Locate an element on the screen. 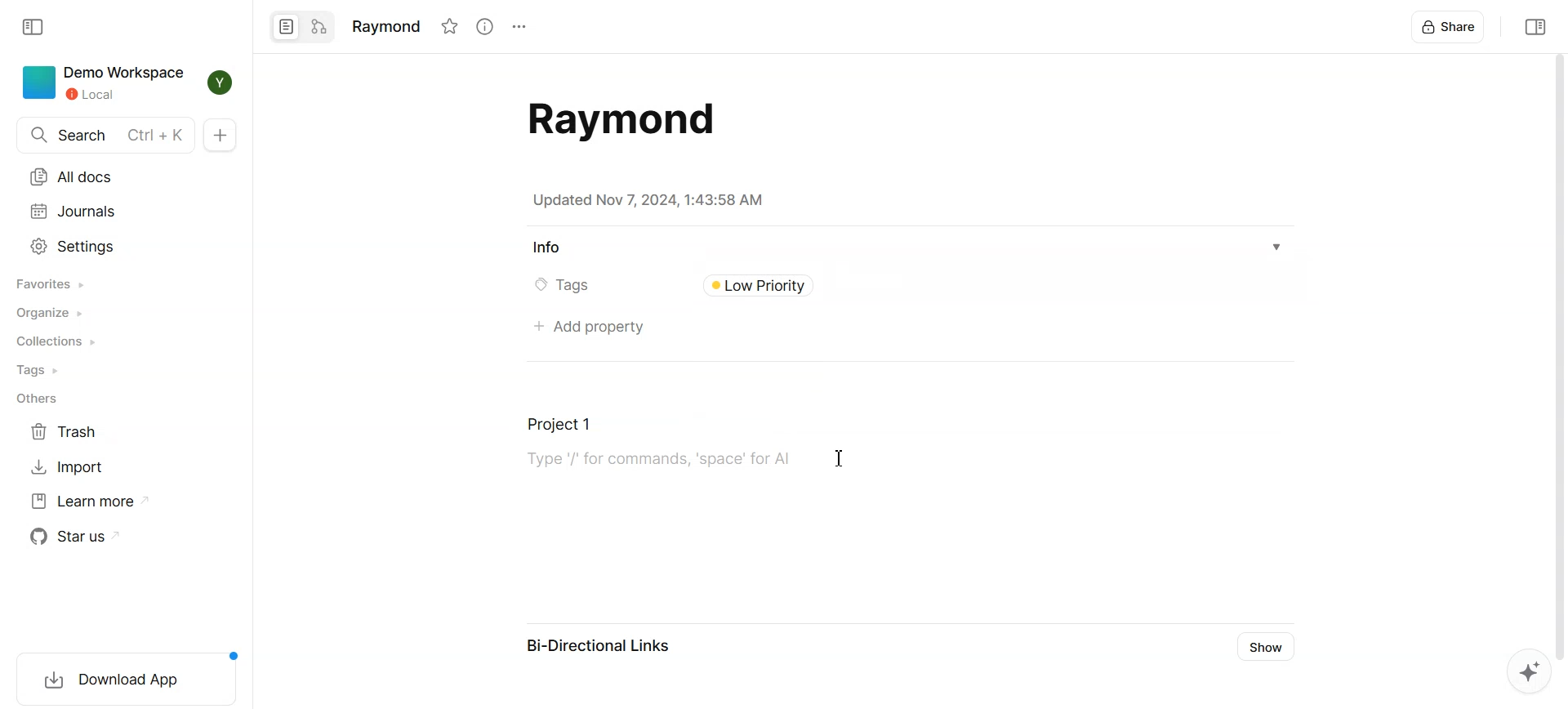 This screenshot has height=709, width=1568. Search doc is located at coordinates (105, 135).